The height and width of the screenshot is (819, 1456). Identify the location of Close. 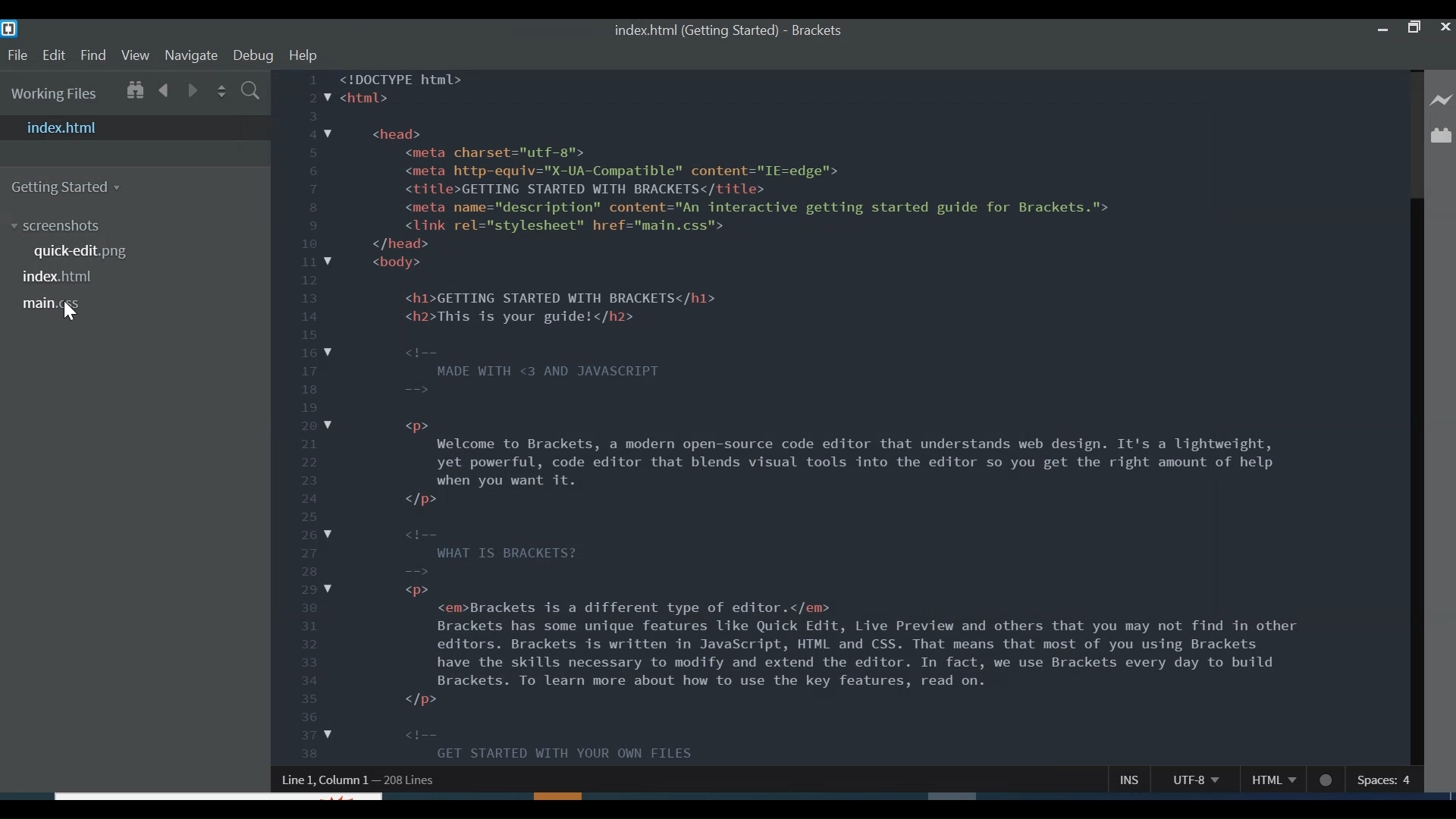
(1445, 26).